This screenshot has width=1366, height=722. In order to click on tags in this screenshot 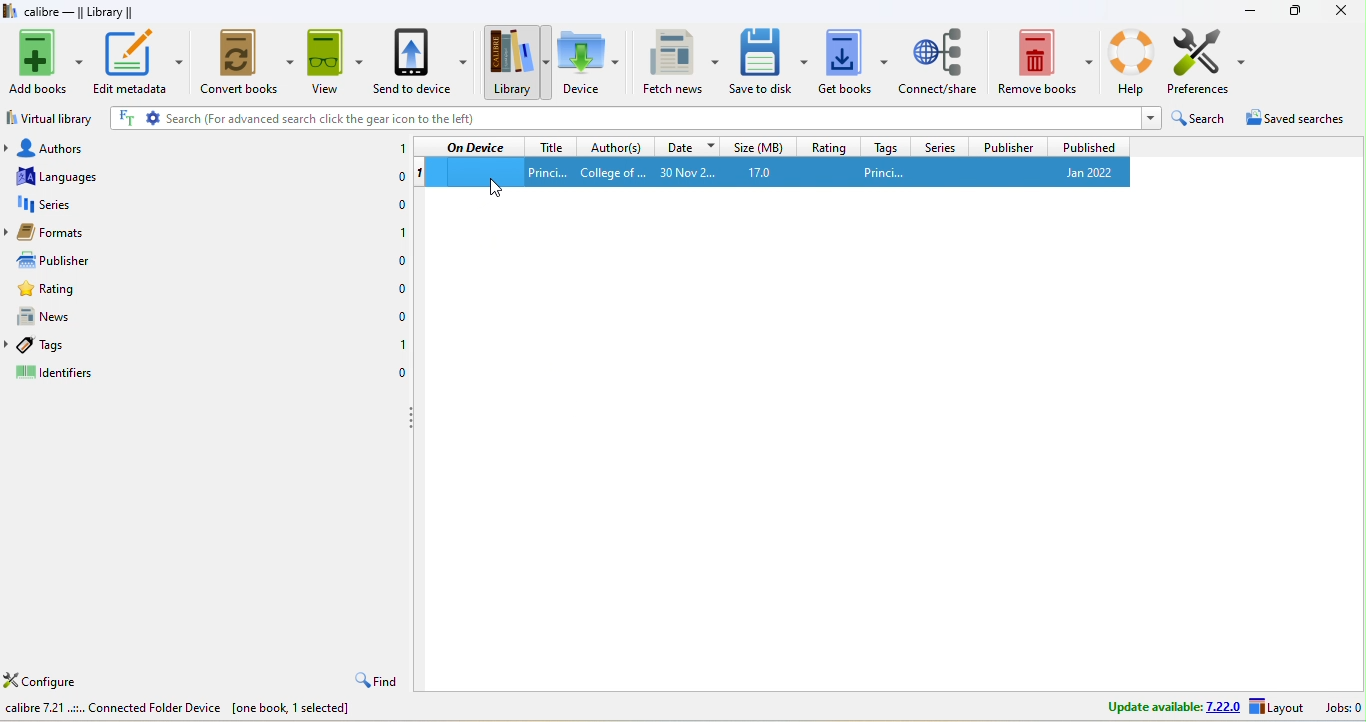, I will do `click(882, 146)`.